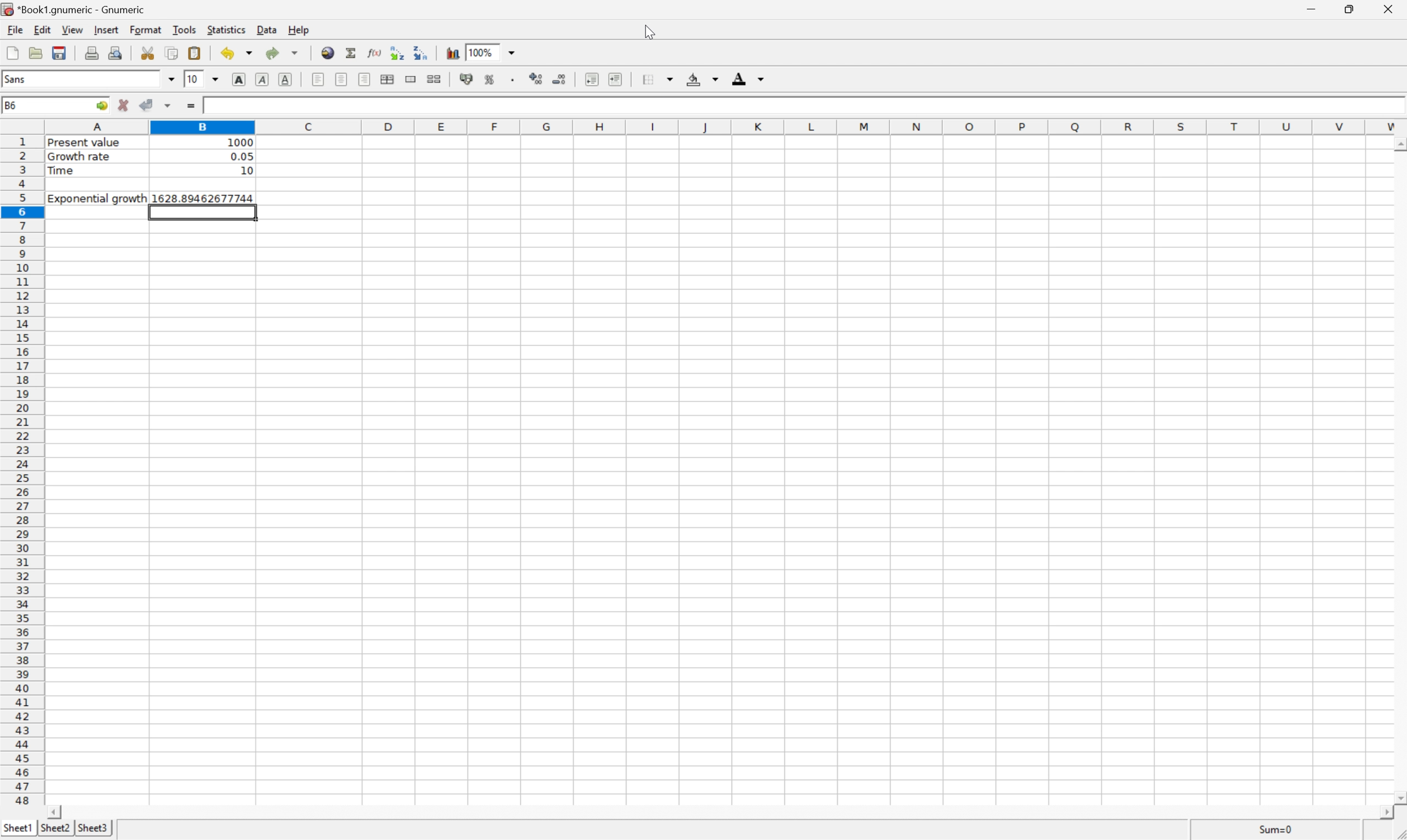  What do you see at coordinates (515, 53) in the screenshot?
I see `Drop Down` at bounding box center [515, 53].